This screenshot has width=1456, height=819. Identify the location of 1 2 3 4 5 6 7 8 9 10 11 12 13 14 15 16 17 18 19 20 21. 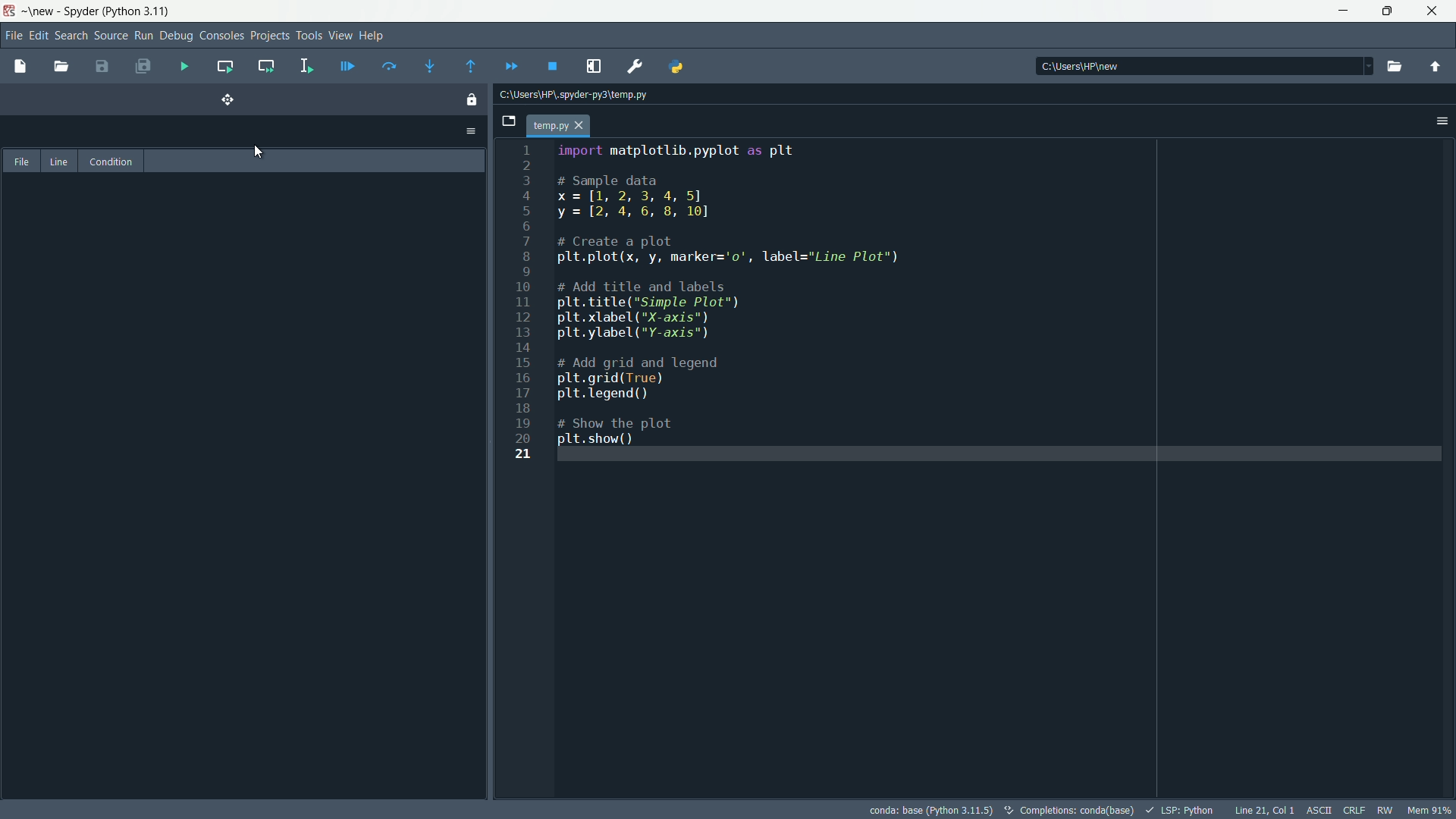
(526, 314).